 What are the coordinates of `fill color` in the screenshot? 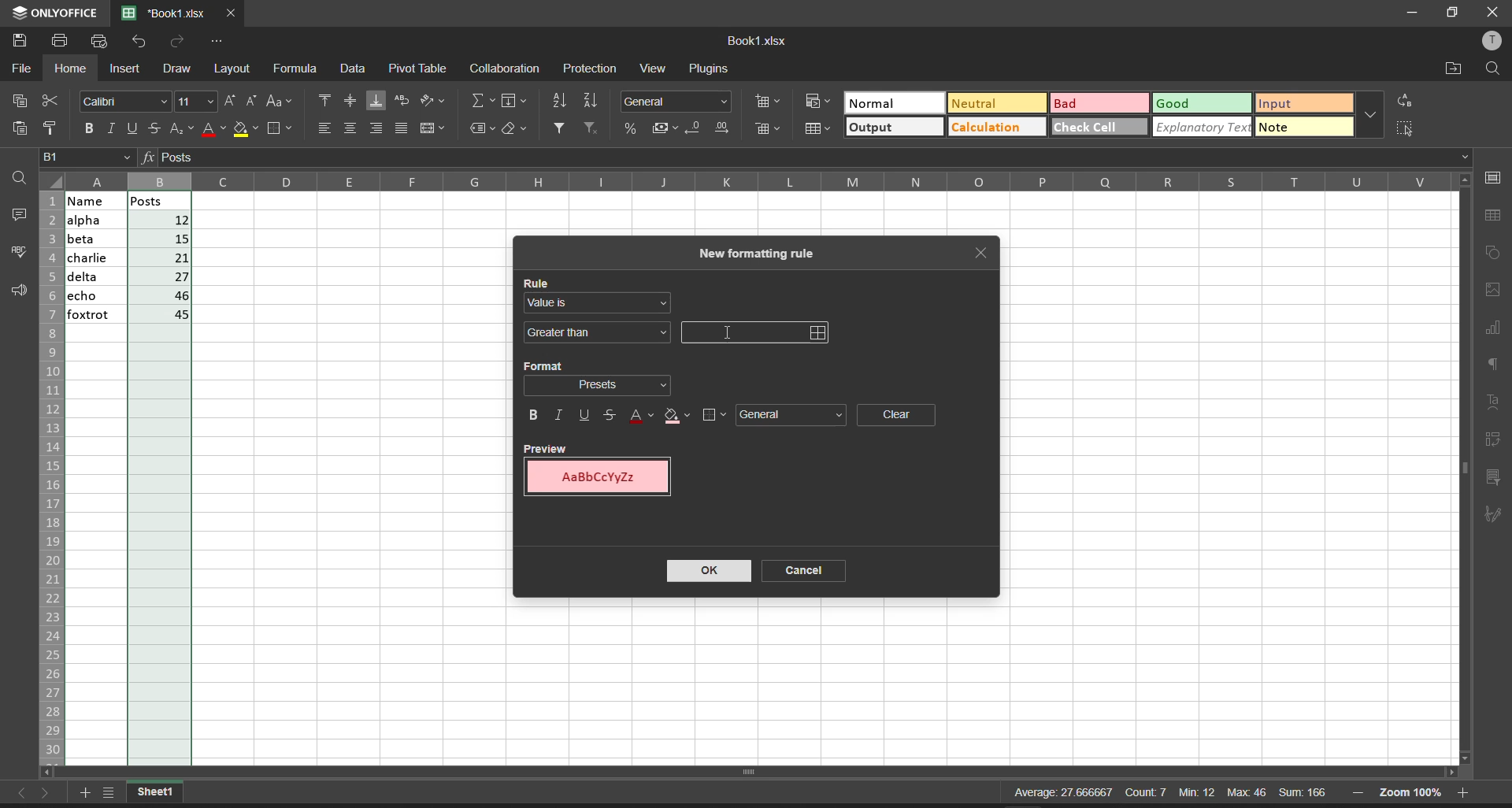 It's located at (246, 131).